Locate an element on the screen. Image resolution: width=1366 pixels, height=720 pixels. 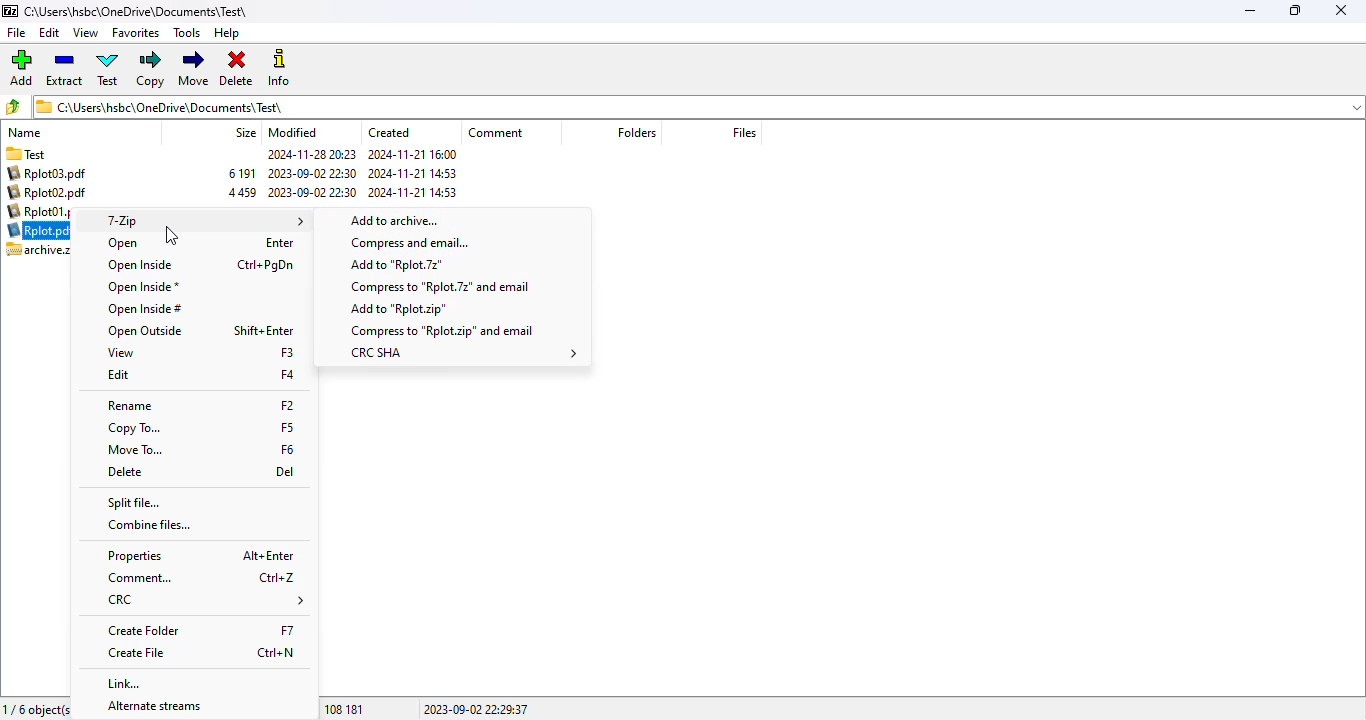
help is located at coordinates (227, 33).